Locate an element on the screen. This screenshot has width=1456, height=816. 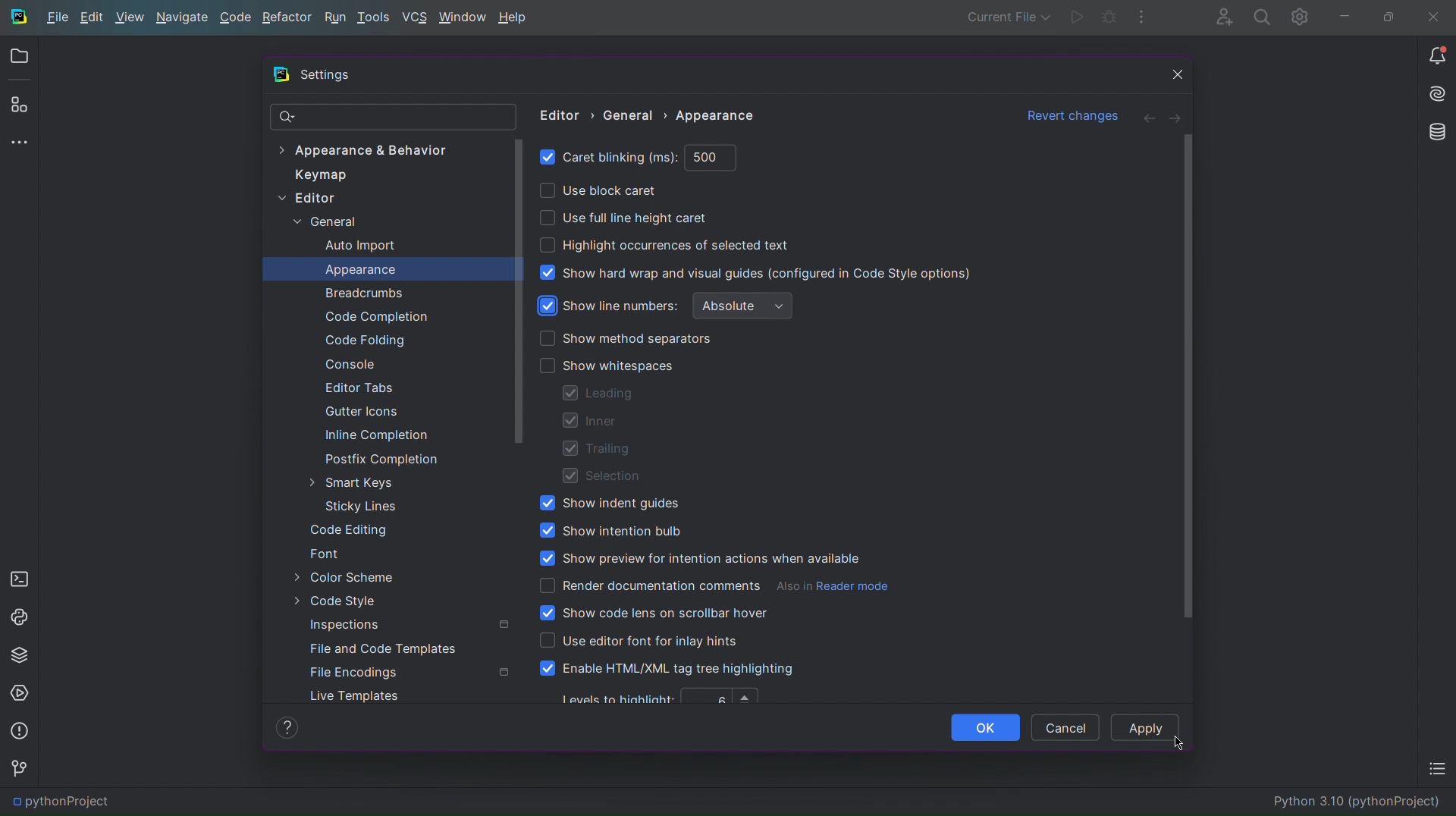
Use editor font for inlay hints is located at coordinates (639, 642).